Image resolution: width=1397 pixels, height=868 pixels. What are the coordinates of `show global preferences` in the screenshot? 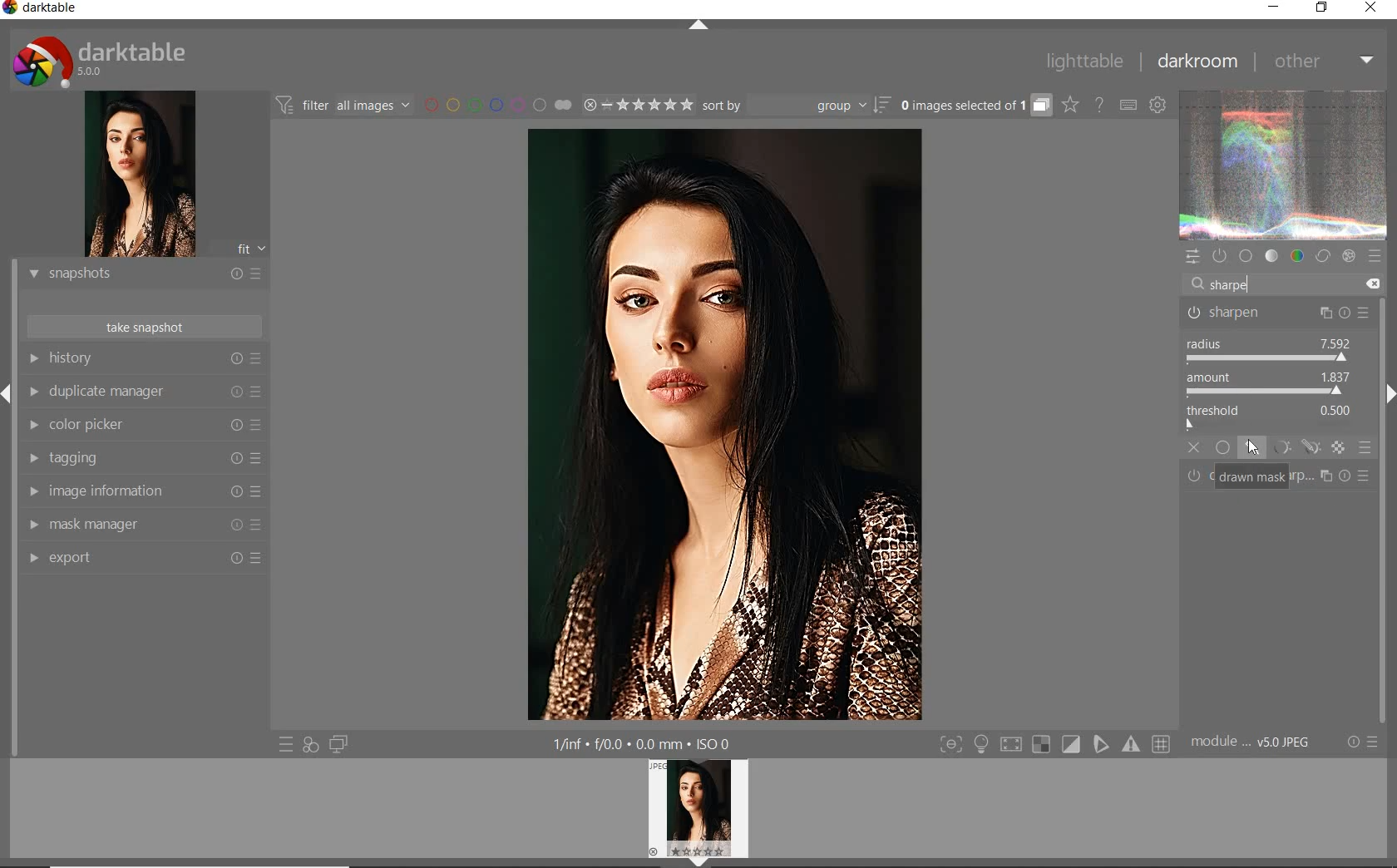 It's located at (1158, 105).